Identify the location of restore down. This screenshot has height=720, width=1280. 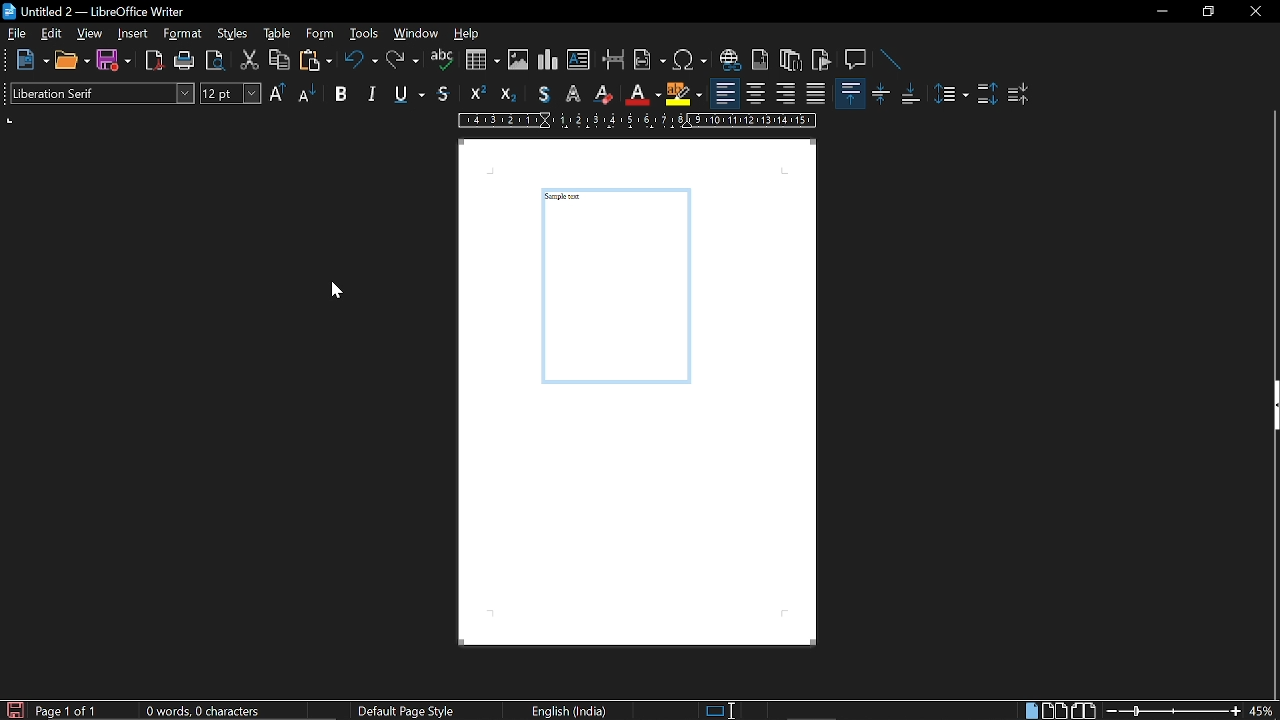
(1207, 12).